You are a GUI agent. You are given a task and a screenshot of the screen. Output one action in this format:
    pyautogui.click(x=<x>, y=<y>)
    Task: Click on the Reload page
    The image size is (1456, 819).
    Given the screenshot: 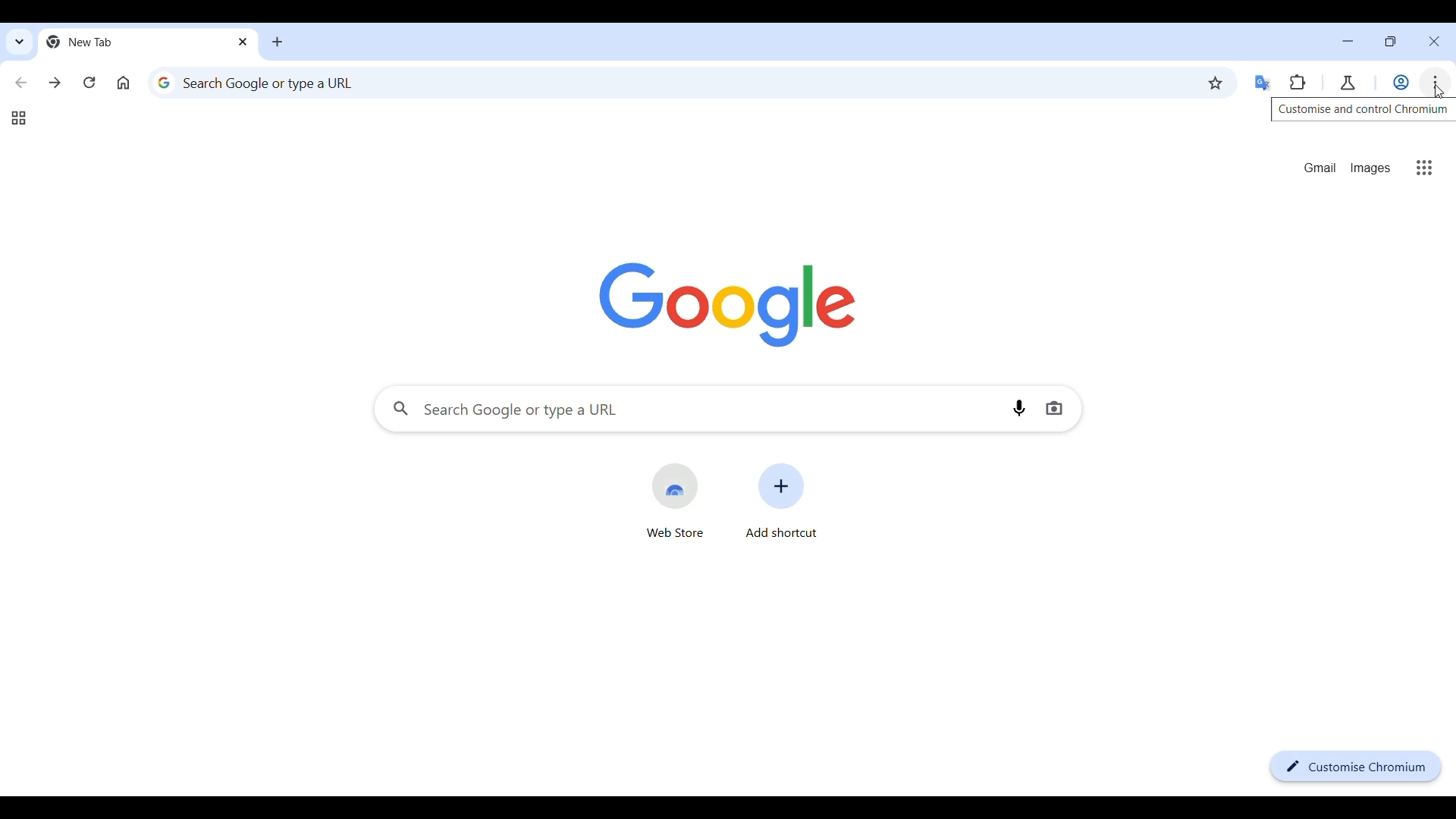 What is the action you would take?
    pyautogui.click(x=89, y=82)
    